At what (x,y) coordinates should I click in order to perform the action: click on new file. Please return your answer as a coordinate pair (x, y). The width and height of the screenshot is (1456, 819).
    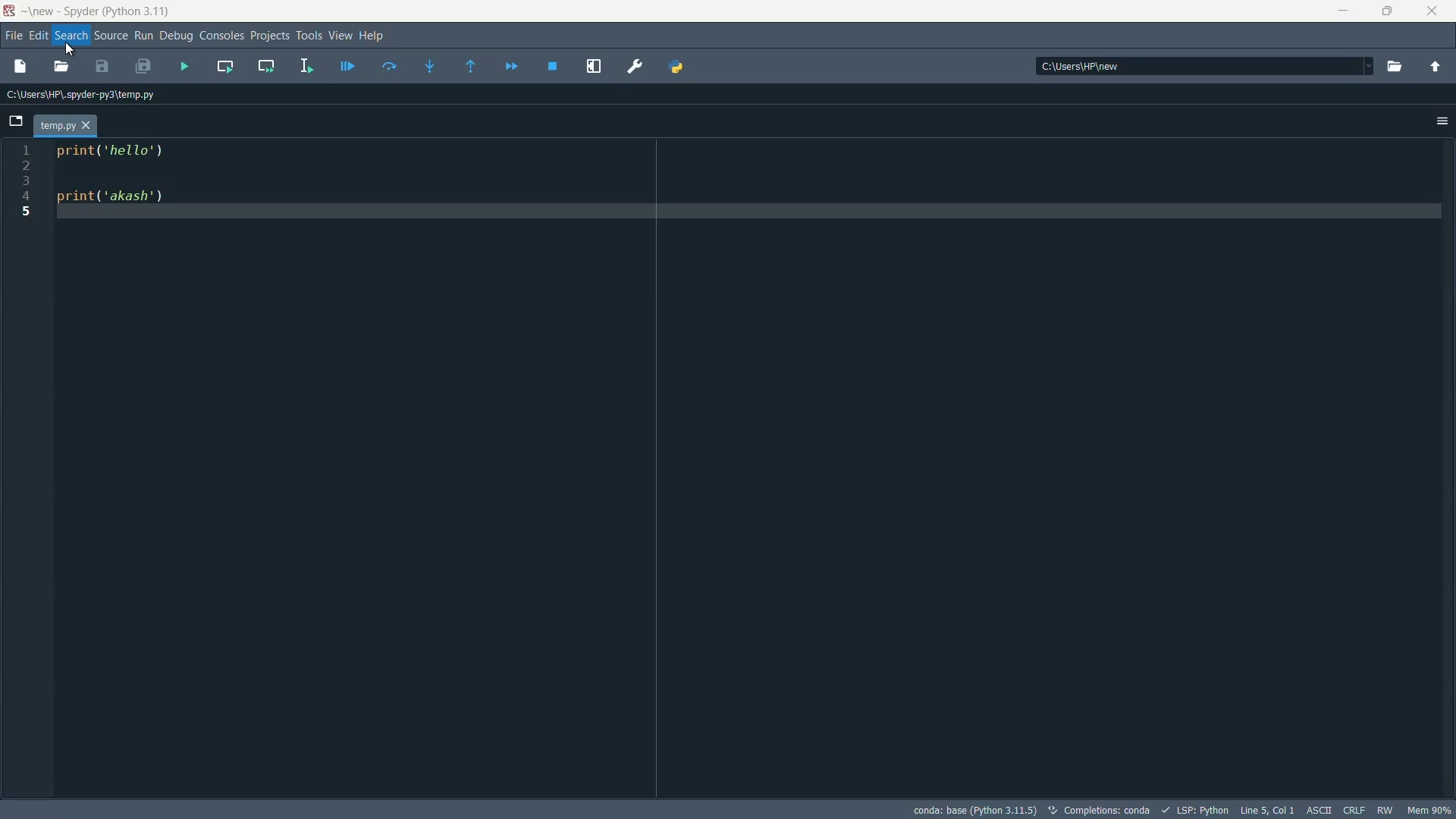
    Looking at the image, I should click on (21, 67).